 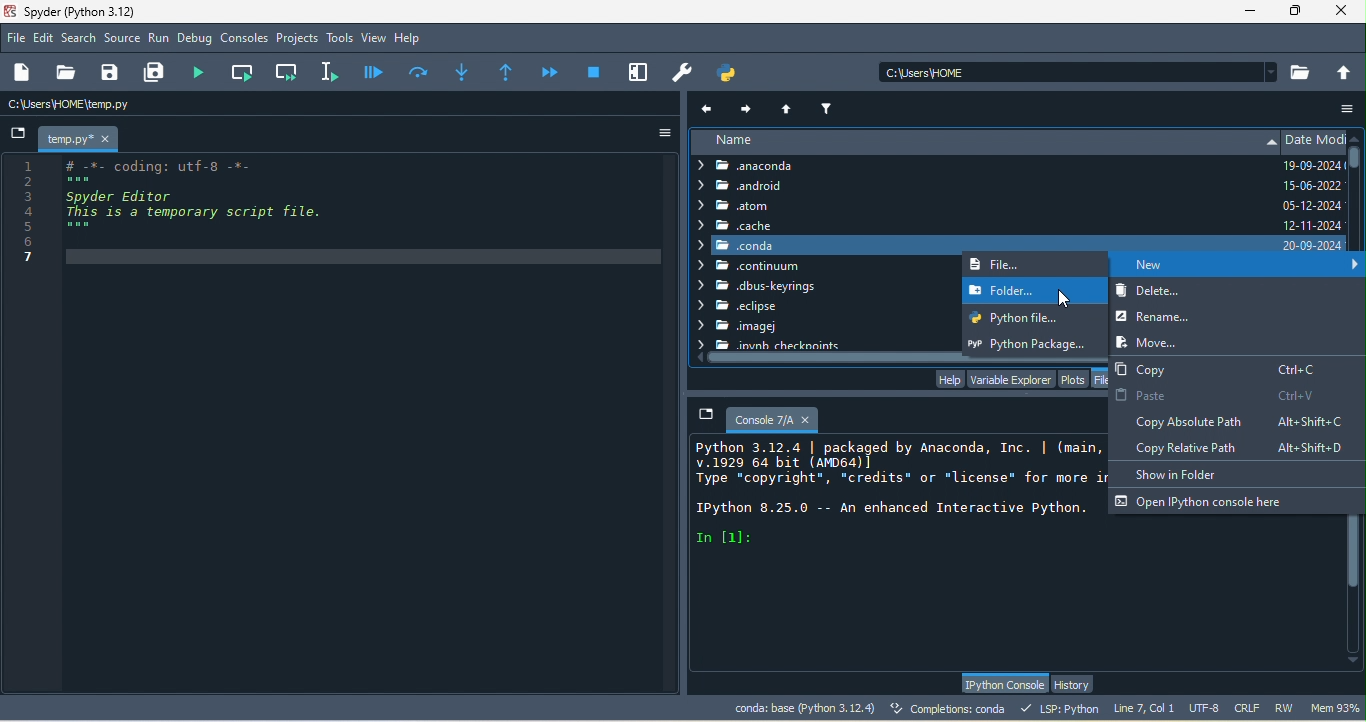 What do you see at coordinates (25, 73) in the screenshot?
I see `new` at bounding box center [25, 73].